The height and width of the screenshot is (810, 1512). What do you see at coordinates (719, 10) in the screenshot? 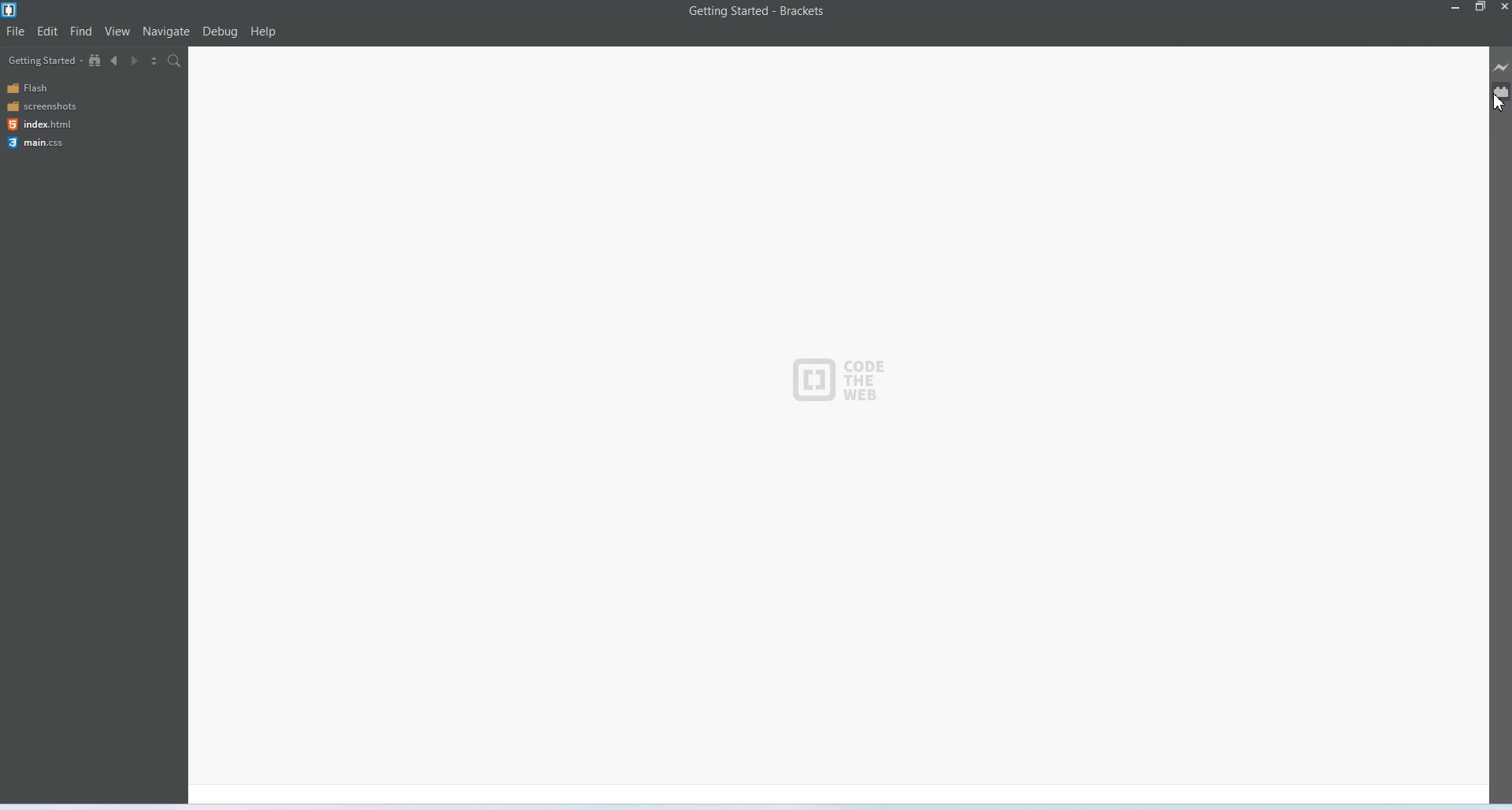
I see `Getting started` at bounding box center [719, 10].